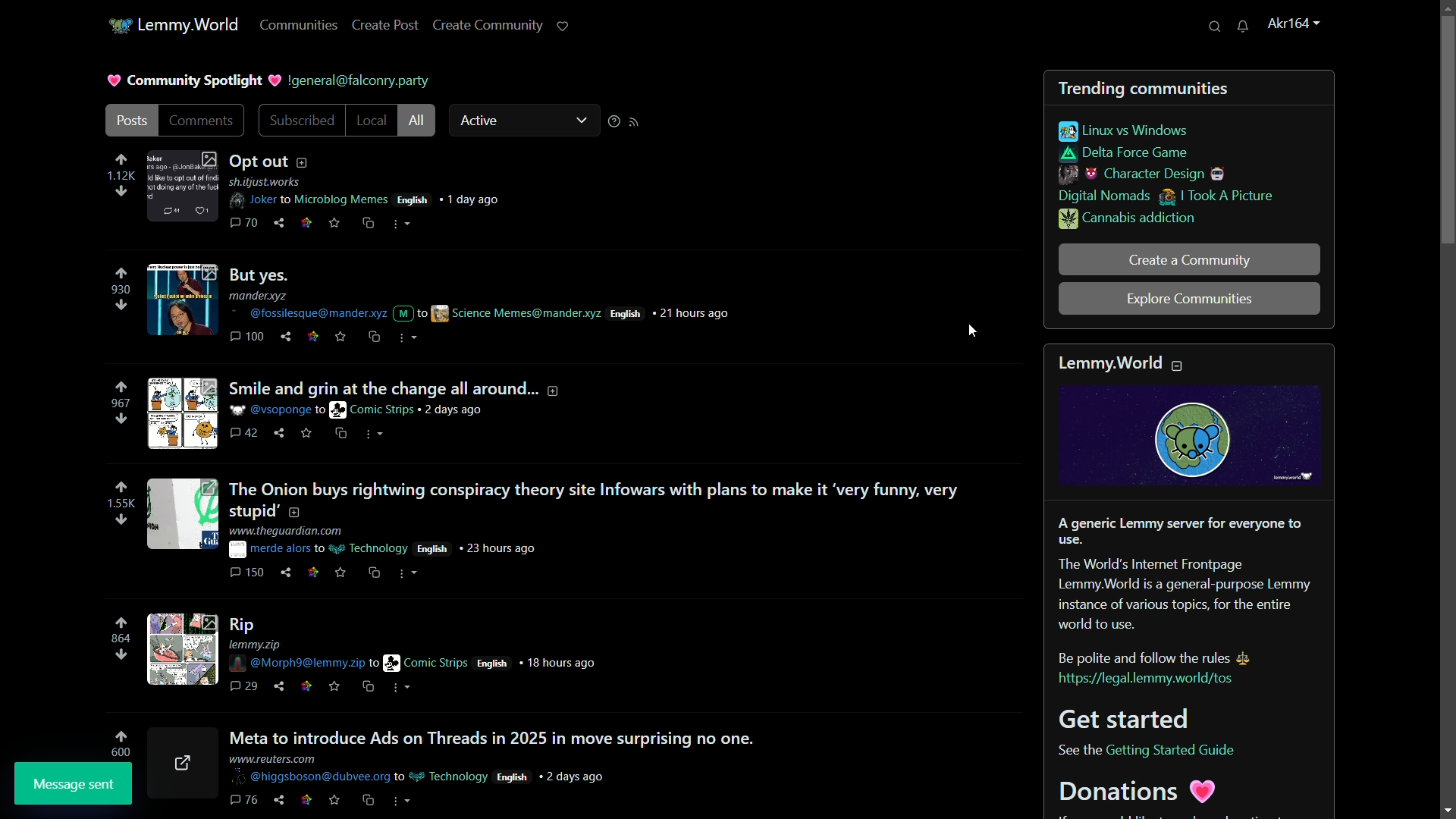 This screenshot has height=819, width=1456. I want to click on number of votes, so click(121, 401).